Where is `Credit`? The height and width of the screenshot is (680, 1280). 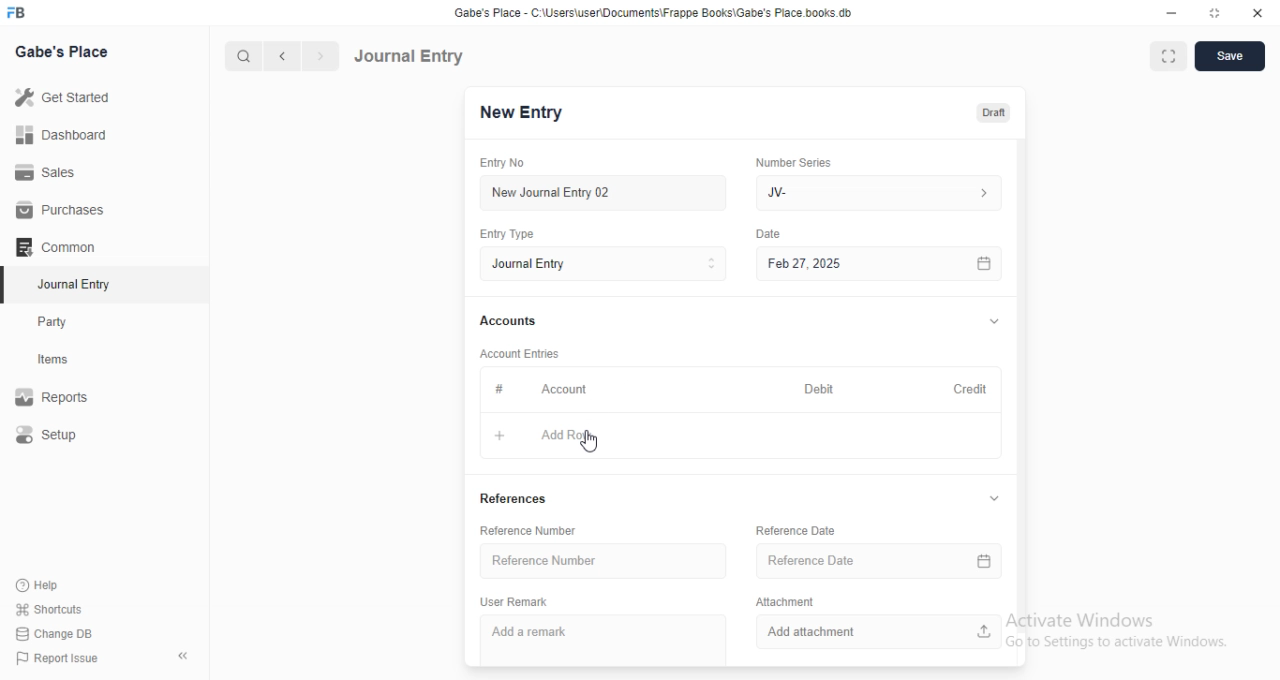
Credit is located at coordinates (971, 390).